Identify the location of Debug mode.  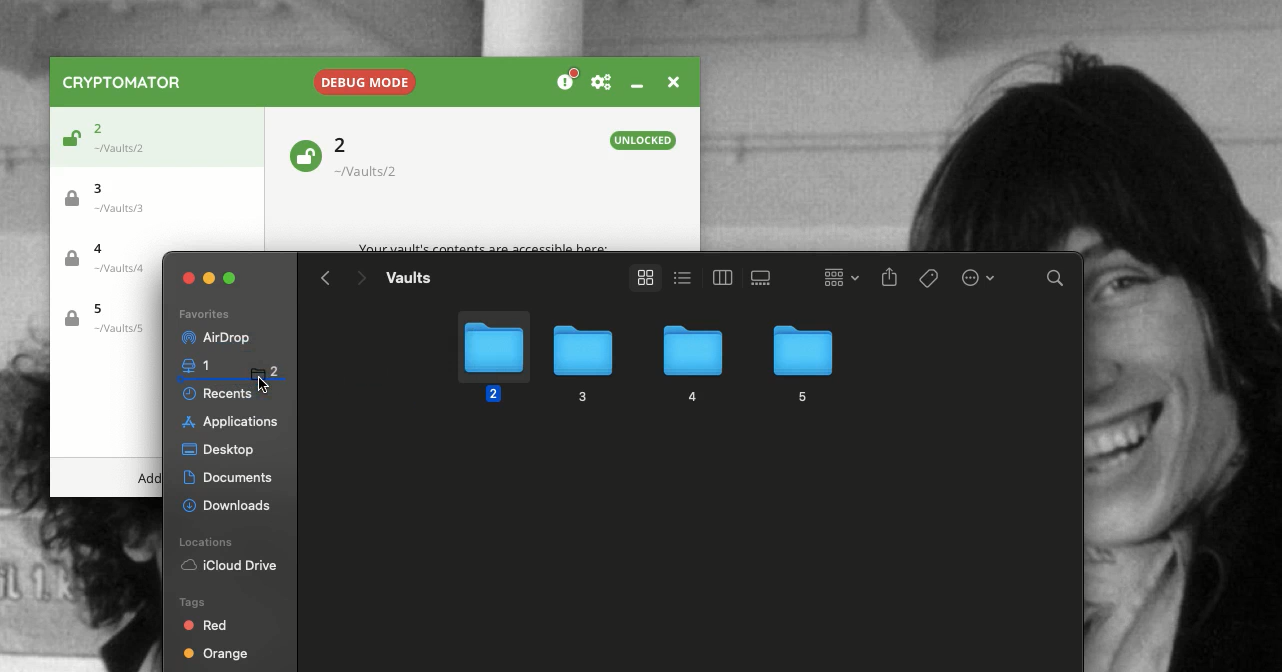
(362, 78).